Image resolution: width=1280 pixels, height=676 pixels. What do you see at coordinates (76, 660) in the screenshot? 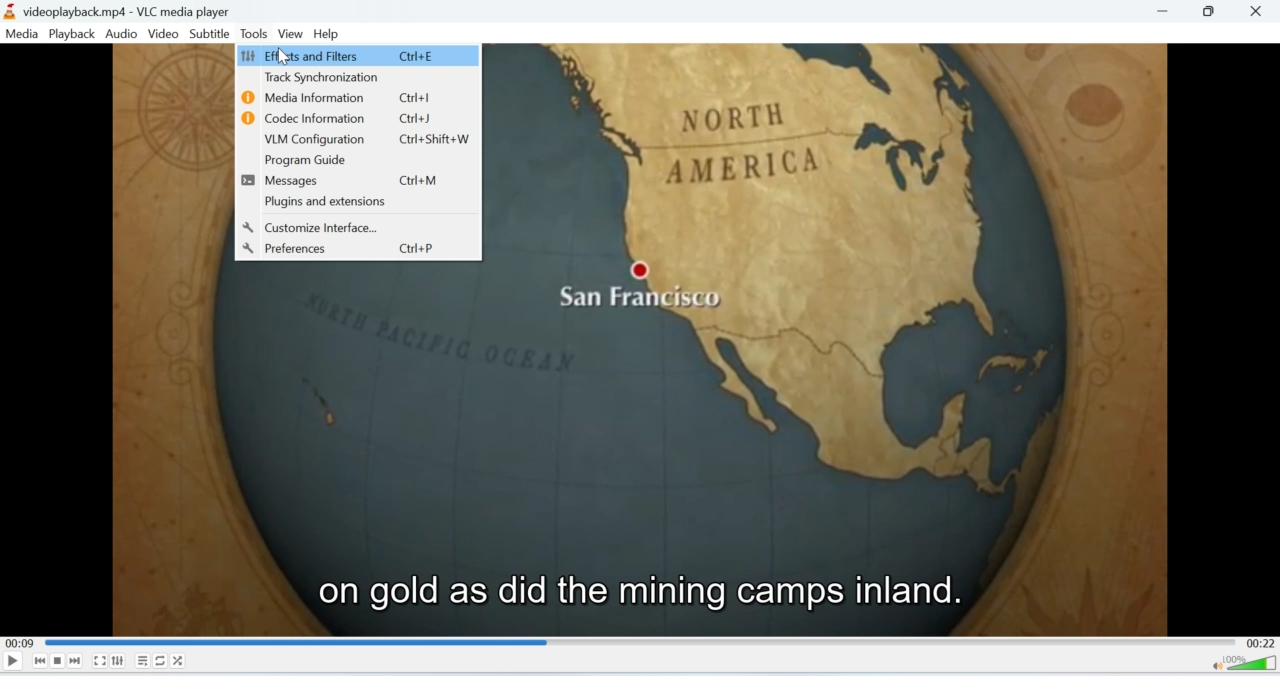
I see `Seek forward` at bounding box center [76, 660].